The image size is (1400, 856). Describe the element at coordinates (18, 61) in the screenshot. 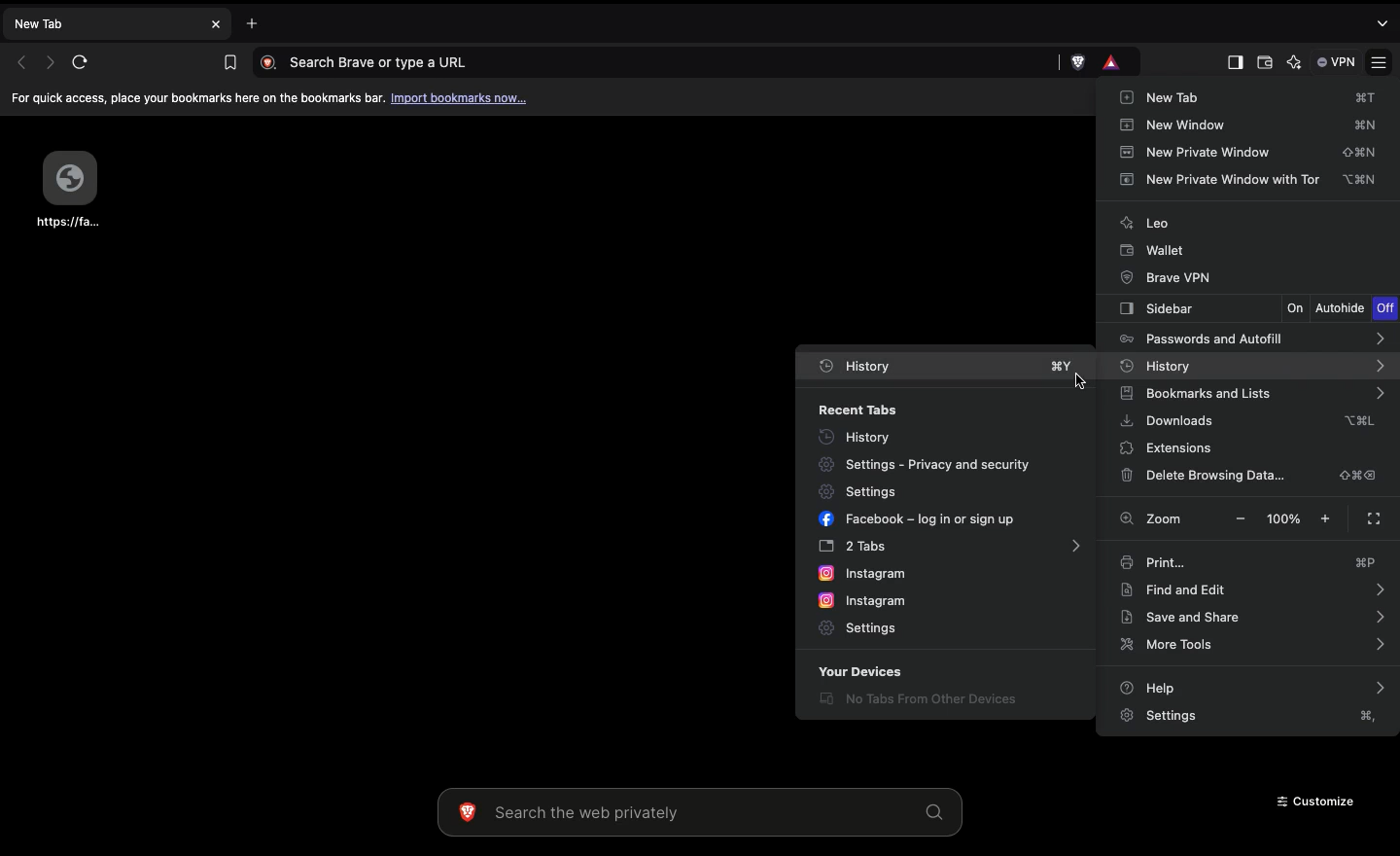

I see `Previous page` at that location.